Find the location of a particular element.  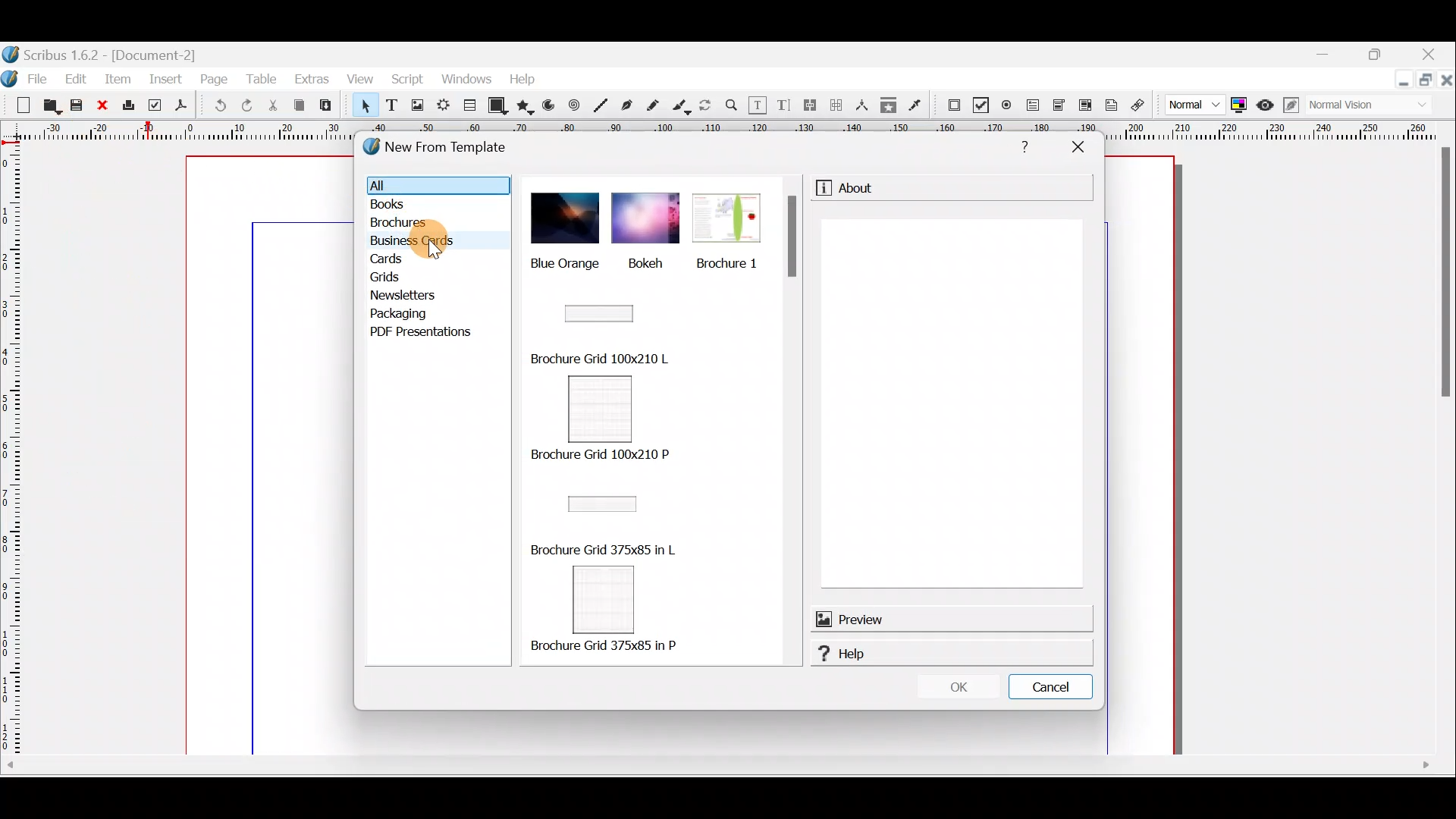

Save is located at coordinates (75, 105).